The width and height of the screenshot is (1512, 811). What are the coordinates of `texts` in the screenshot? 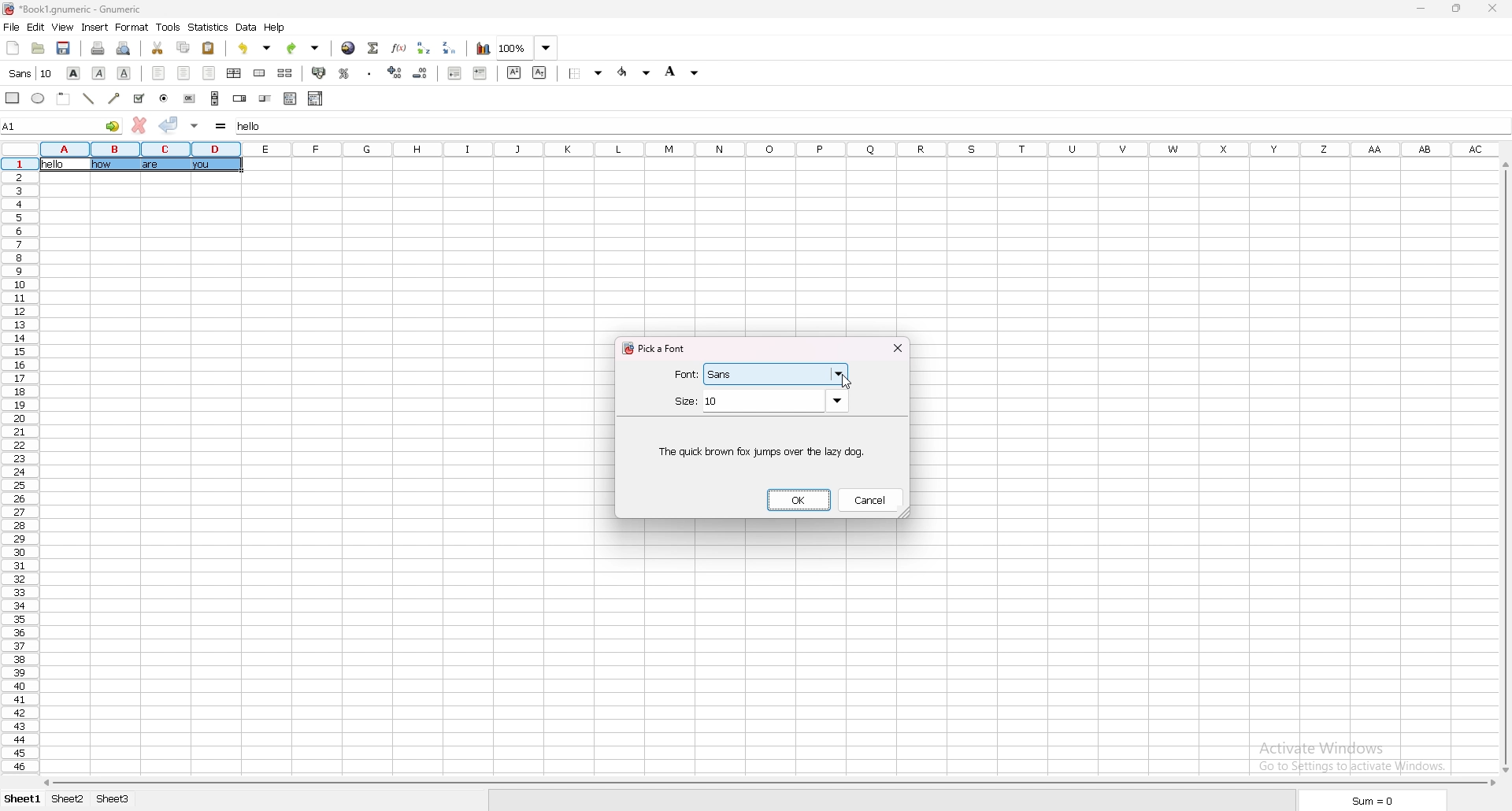 It's located at (166, 165).